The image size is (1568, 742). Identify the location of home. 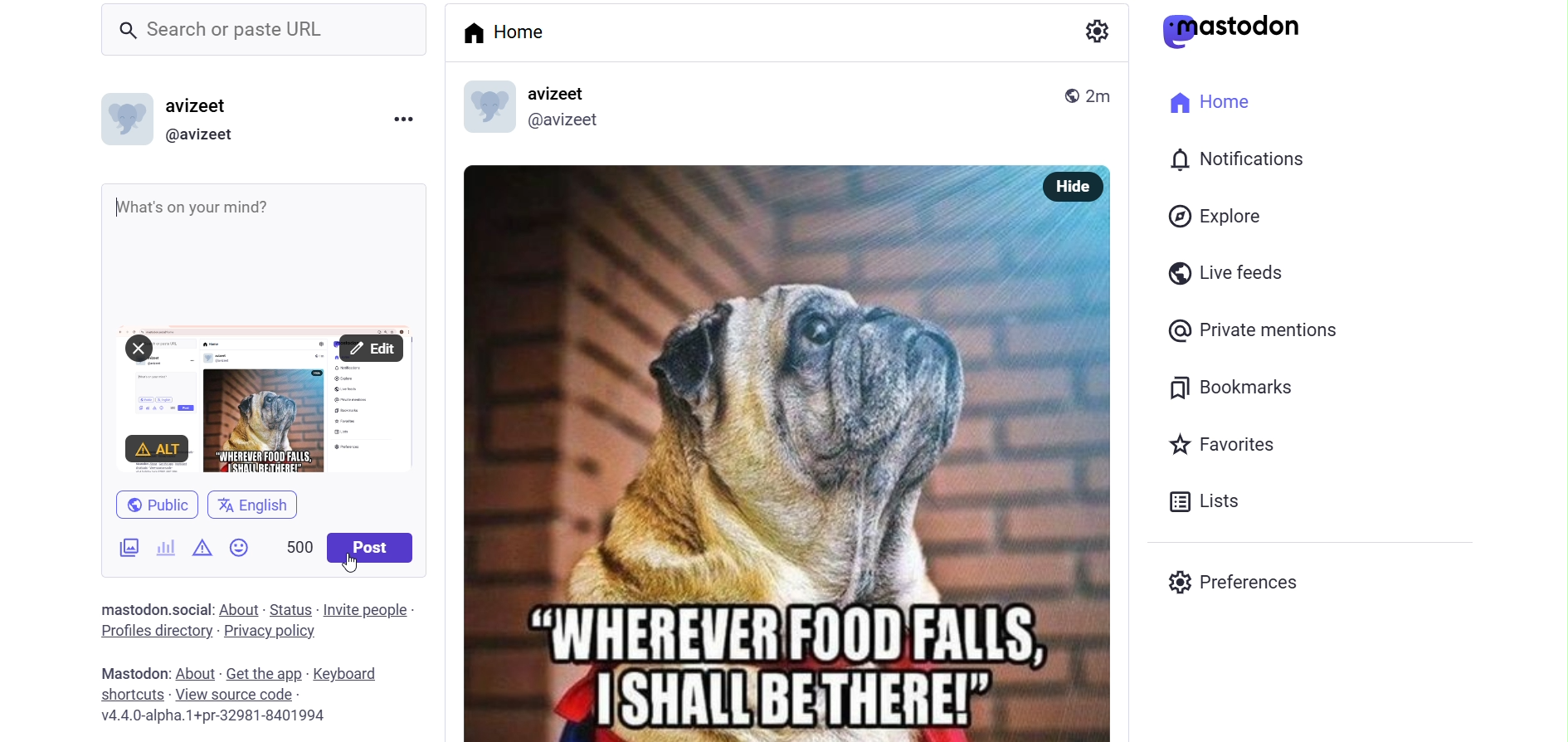
(1220, 105).